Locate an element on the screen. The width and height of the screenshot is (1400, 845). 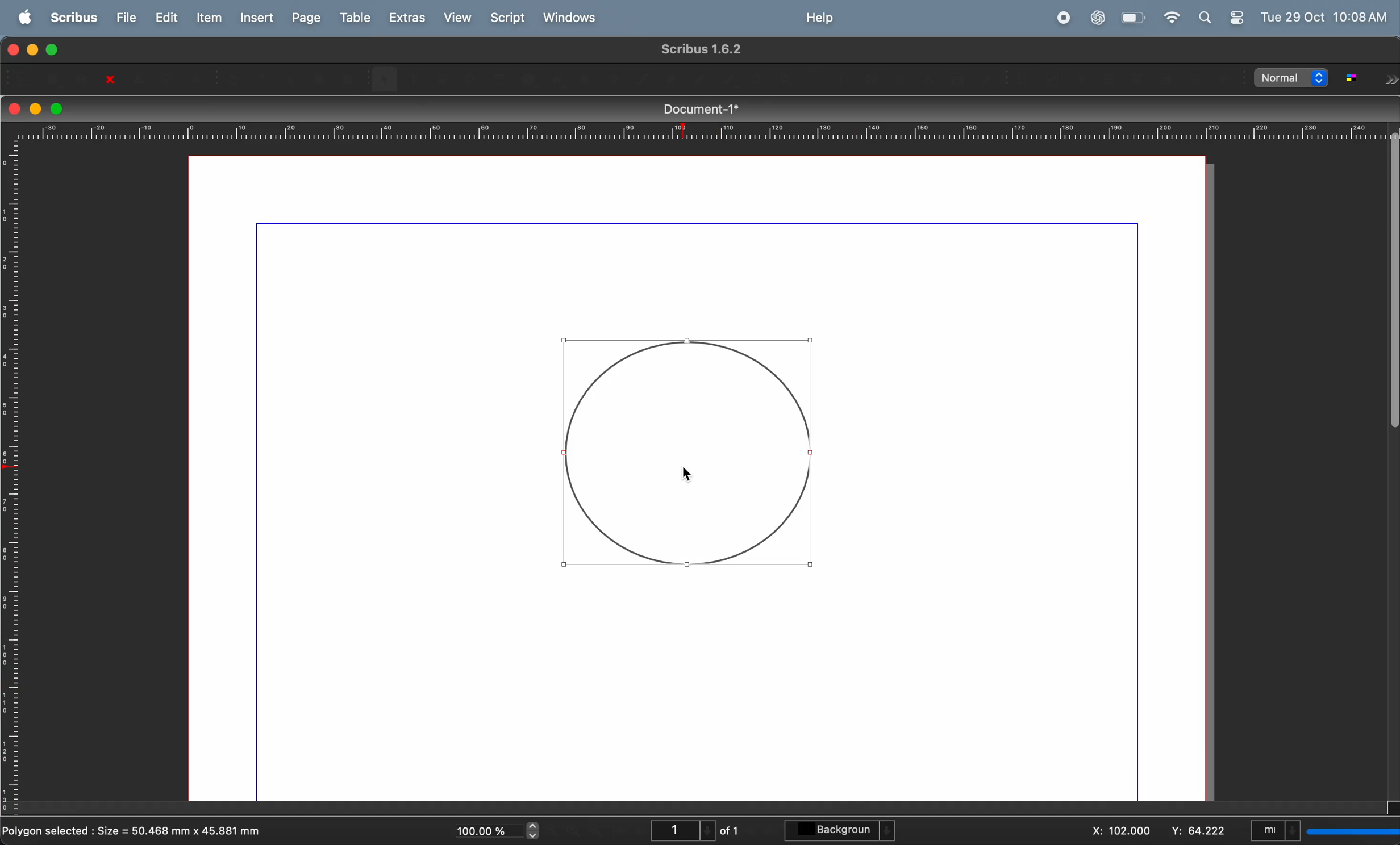
record is located at coordinates (1062, 19).